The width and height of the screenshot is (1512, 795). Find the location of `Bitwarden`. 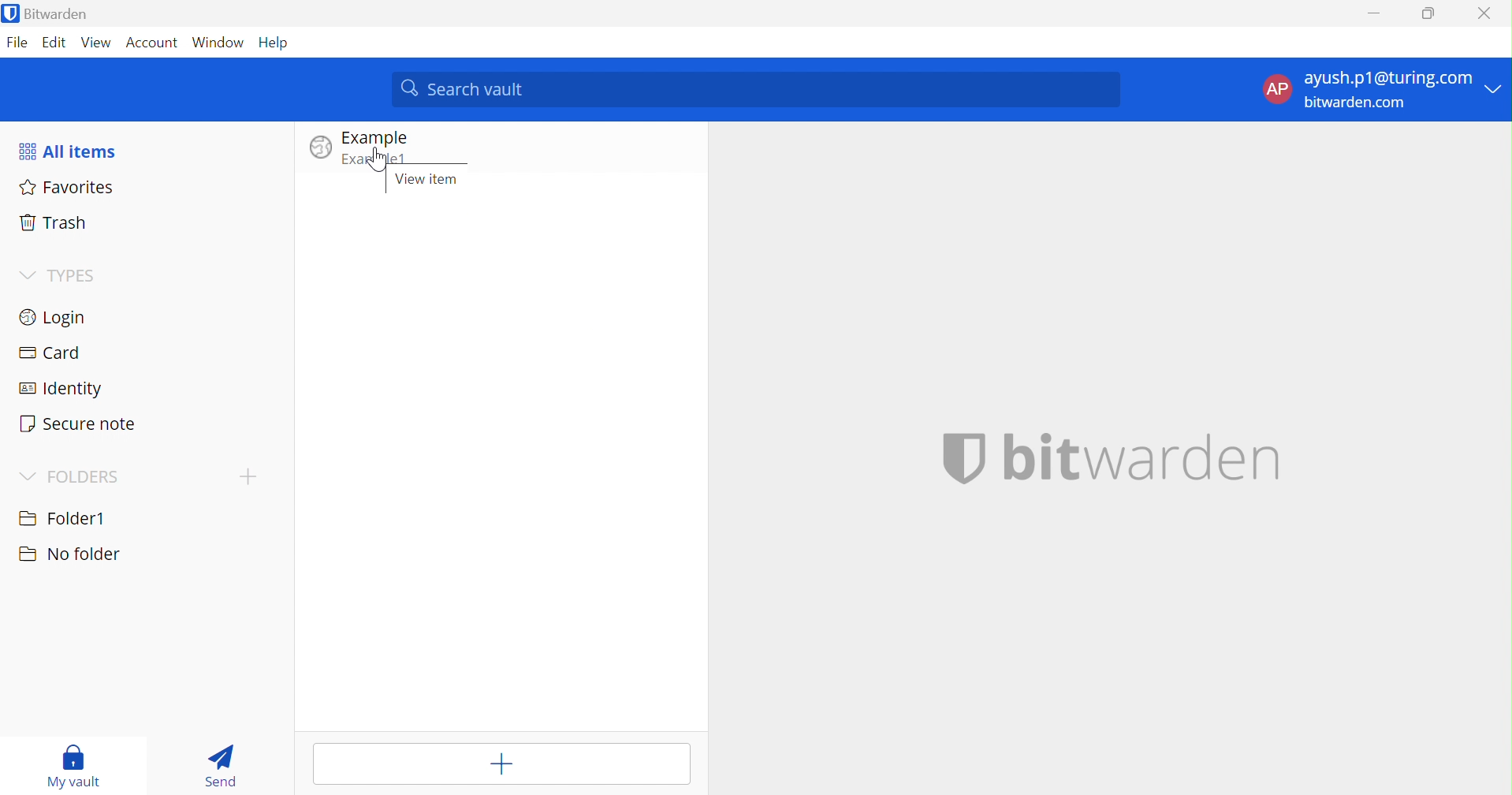

Bitwarden is located at coordinates (50, 15).